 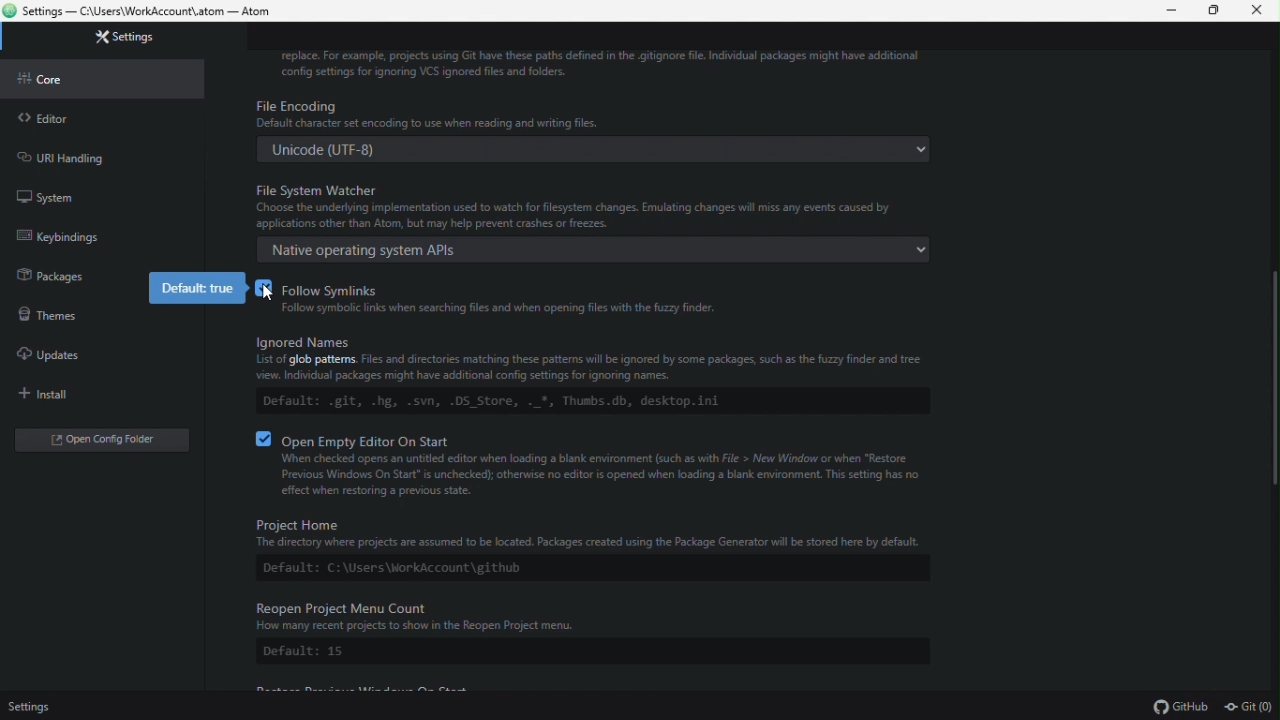 I want to click on Packages, so click(x=44, y=273).